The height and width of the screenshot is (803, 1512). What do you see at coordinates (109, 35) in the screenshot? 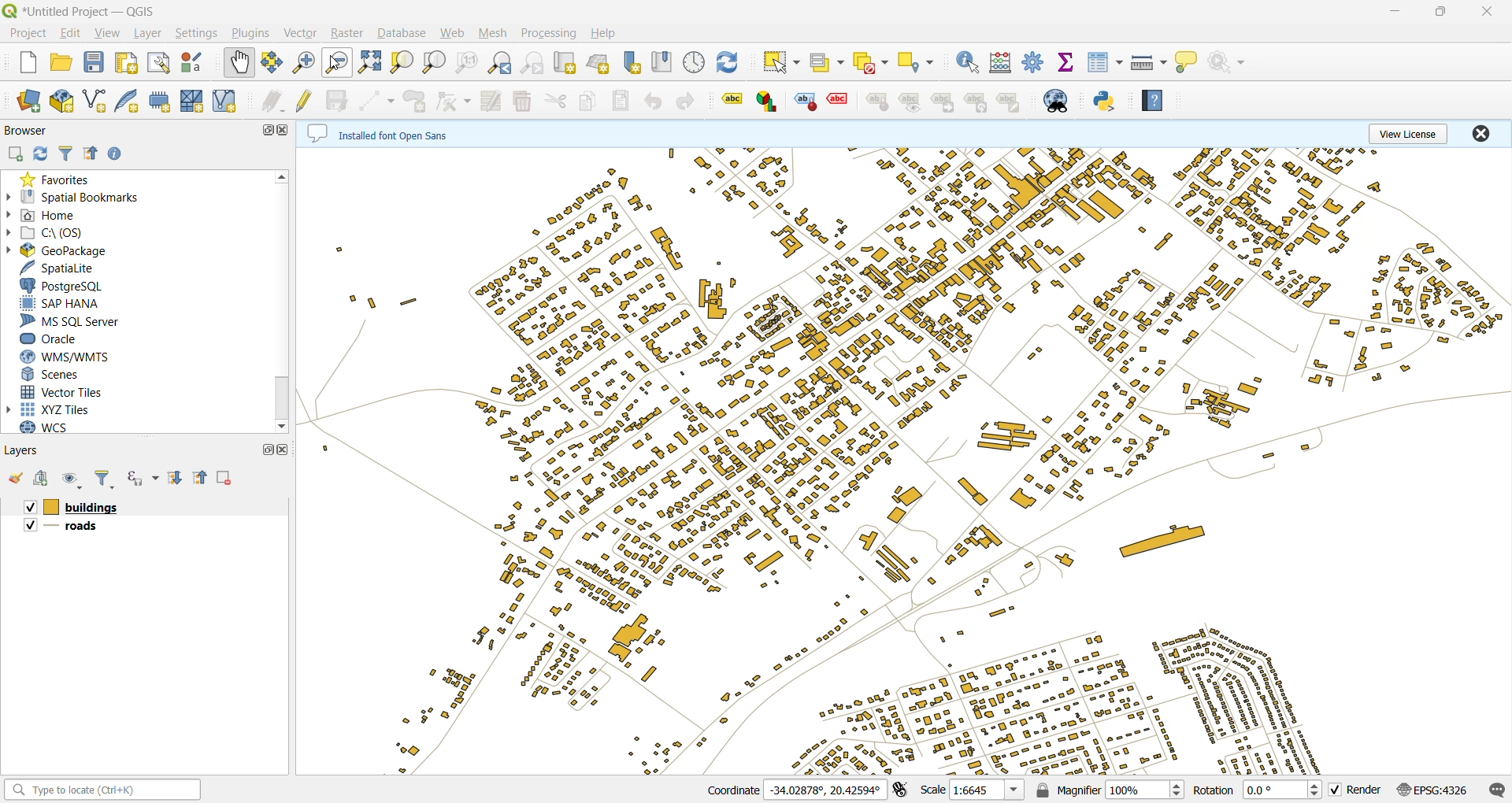
I see `view` at bounding box center [109, 35].